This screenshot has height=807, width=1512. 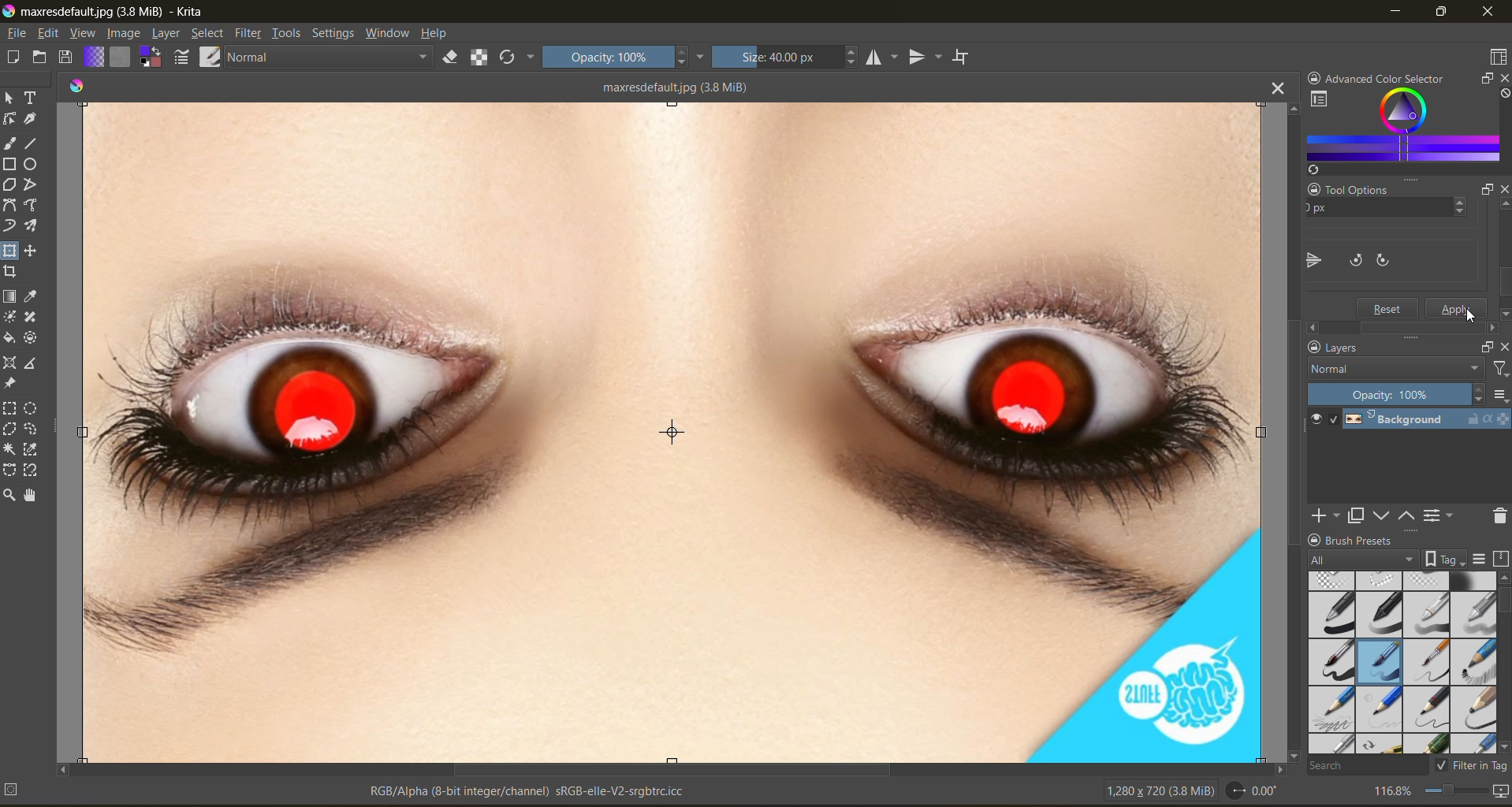 What do you see at coordinates (1324, 516) in the screenshot?
I see `add` at bounding box center [1324, 516].